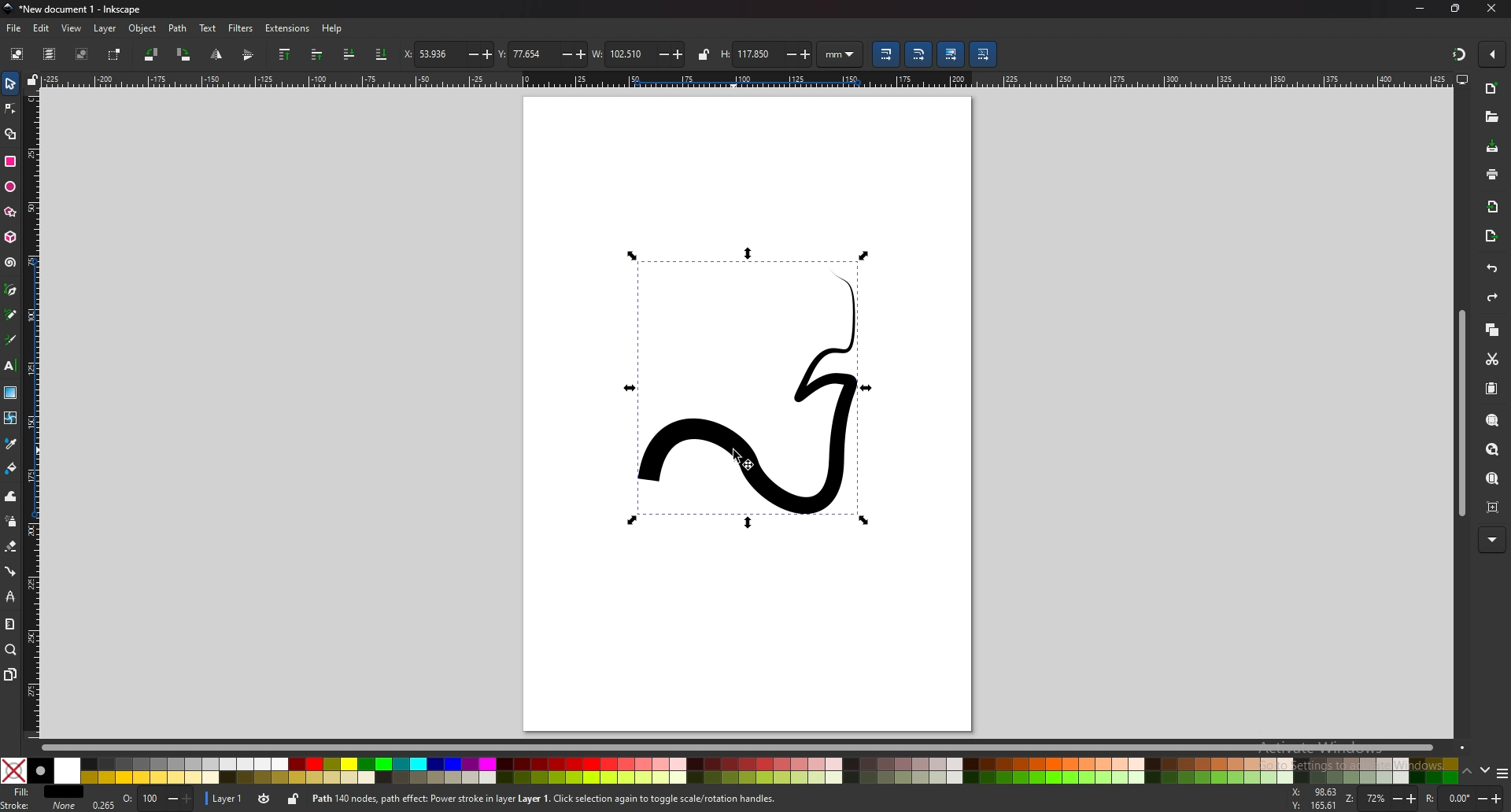  What do you see at coordinates (142, 799) in the screenshot?
I see `opacity` at bounding box center [142, 799].